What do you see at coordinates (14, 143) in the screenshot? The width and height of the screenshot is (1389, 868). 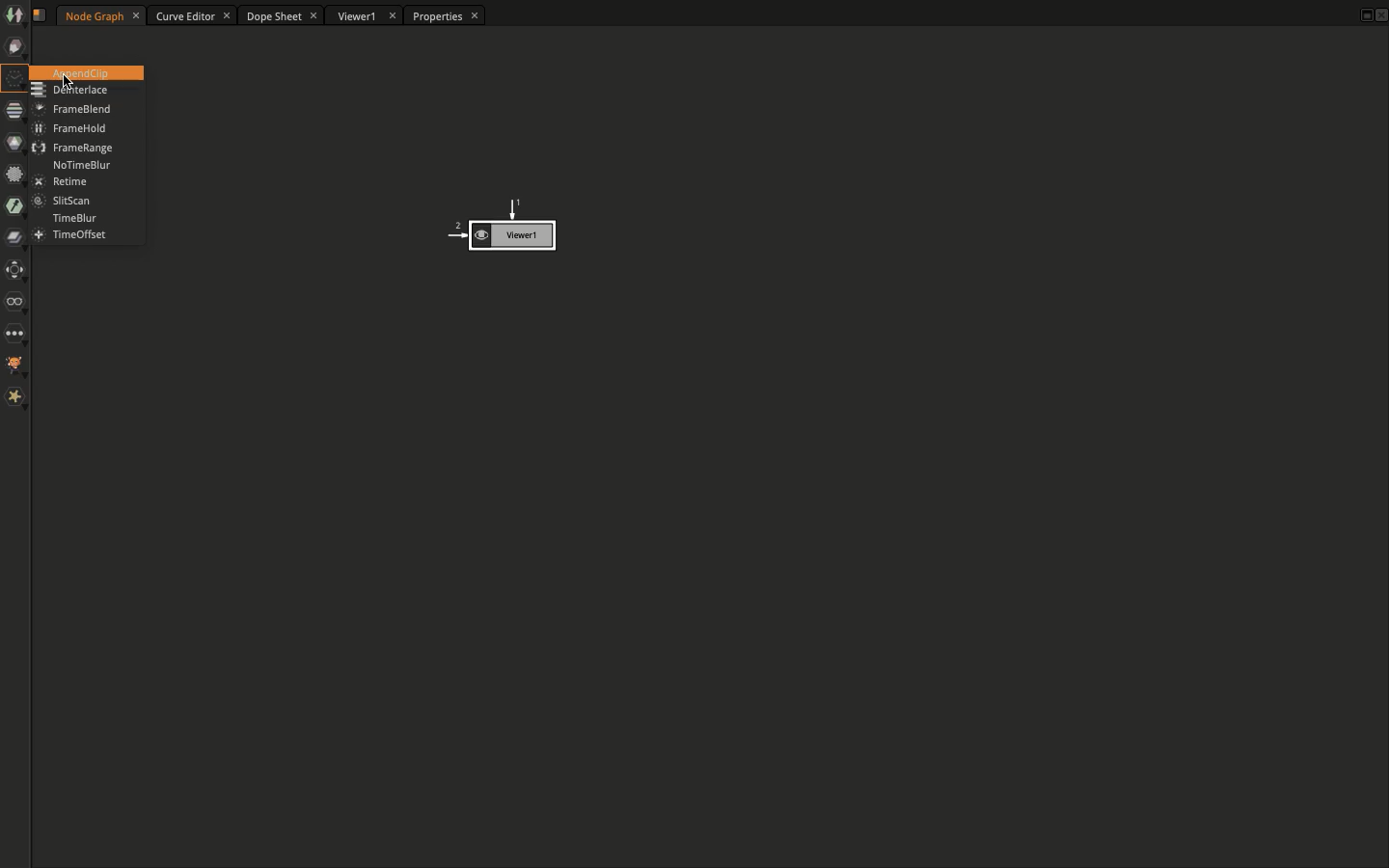 I see `Color` at bounding box center [14, 143].